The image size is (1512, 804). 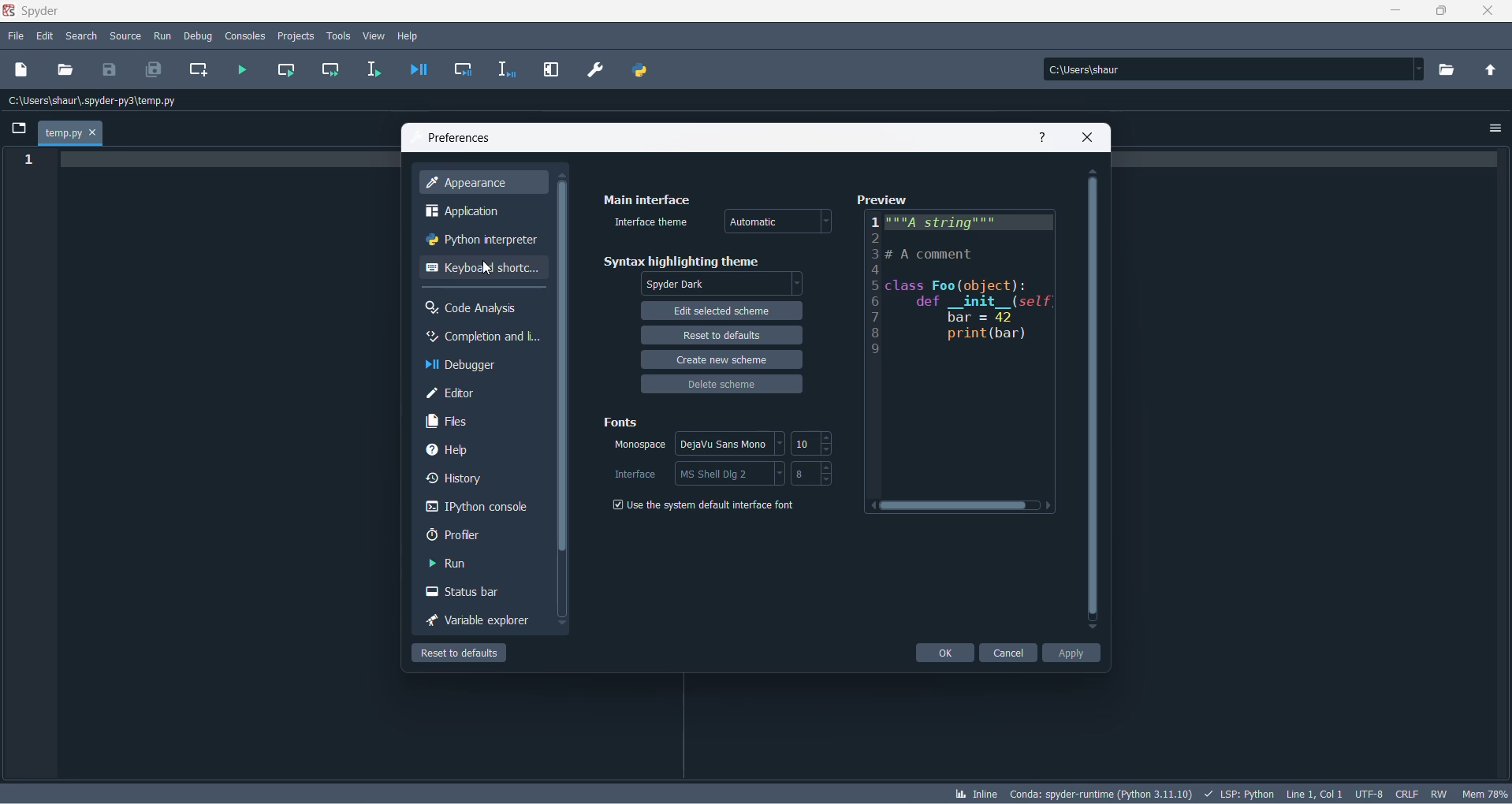 What do you see at coordinates (549, 71) in the screenshot?
I see `MAXIMIZE CURRENT PANE` at bounding box center [549, 71].